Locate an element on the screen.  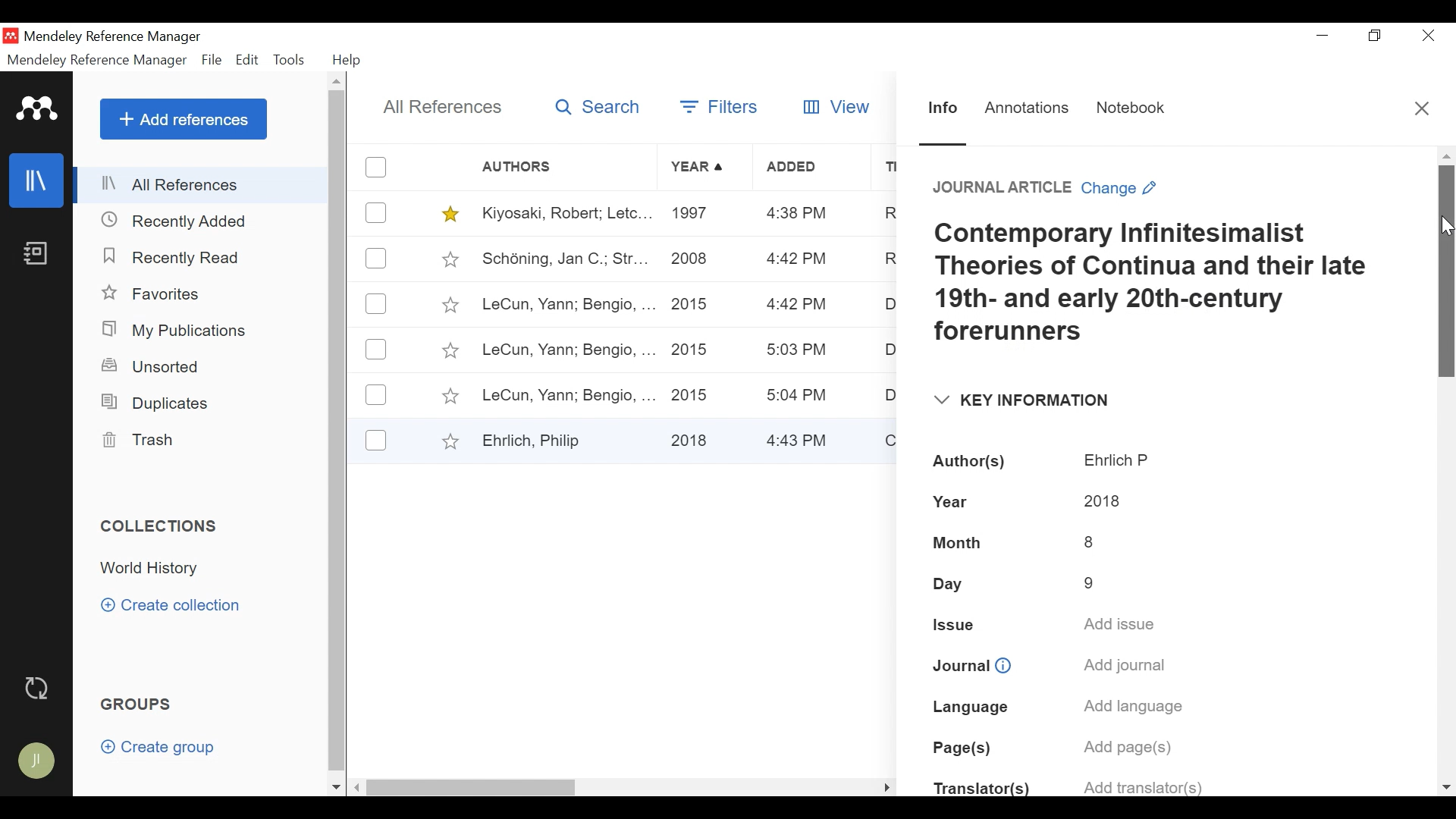
(un)select is located at coordinates (378, 167).